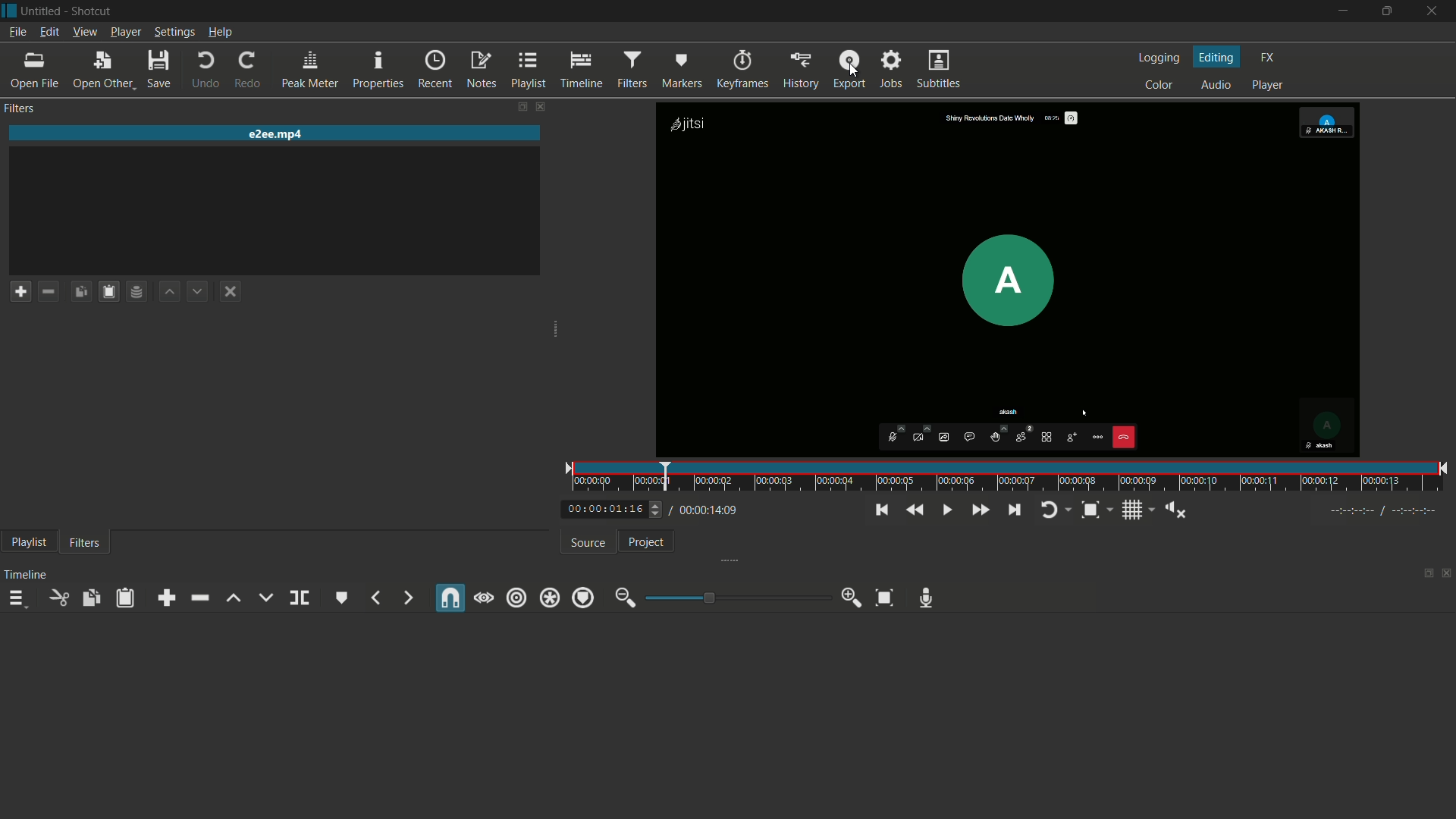  I want to click on source, so click(585, 543).